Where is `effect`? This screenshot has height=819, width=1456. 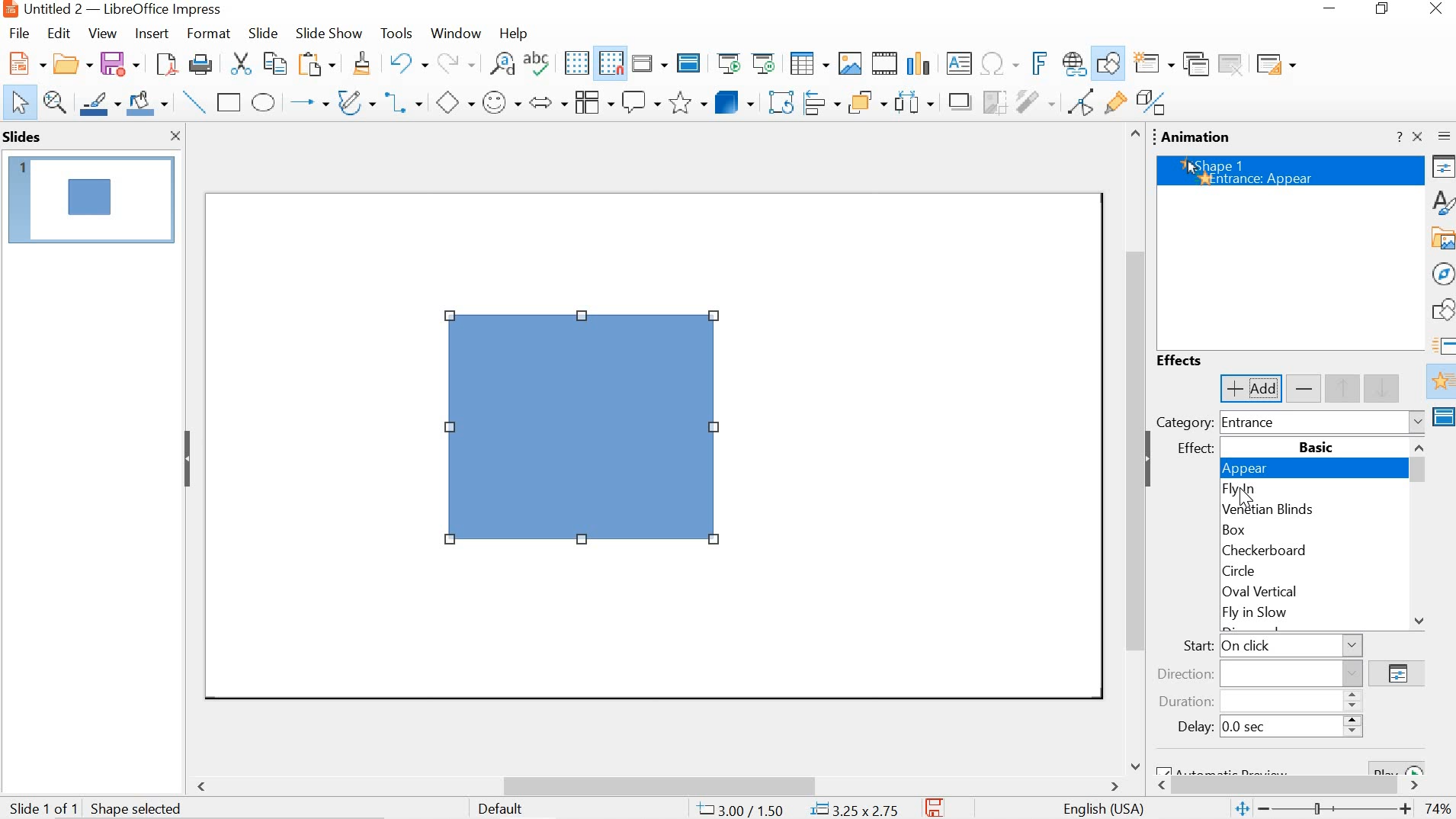
effect is located at coordinates (1192, 451).